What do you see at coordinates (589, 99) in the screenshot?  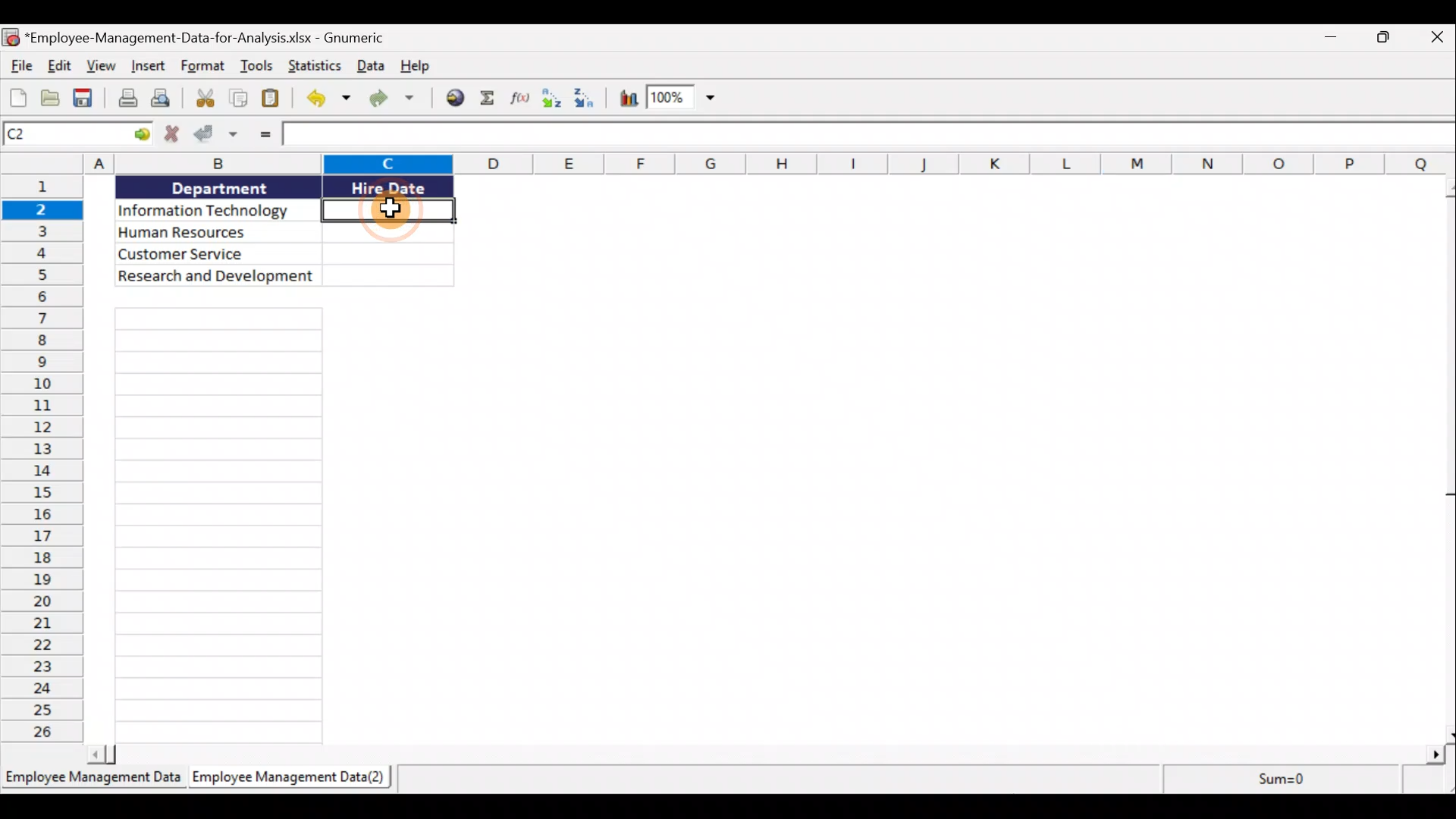 I see `Sort Descending` at bounding box center [589, 99].